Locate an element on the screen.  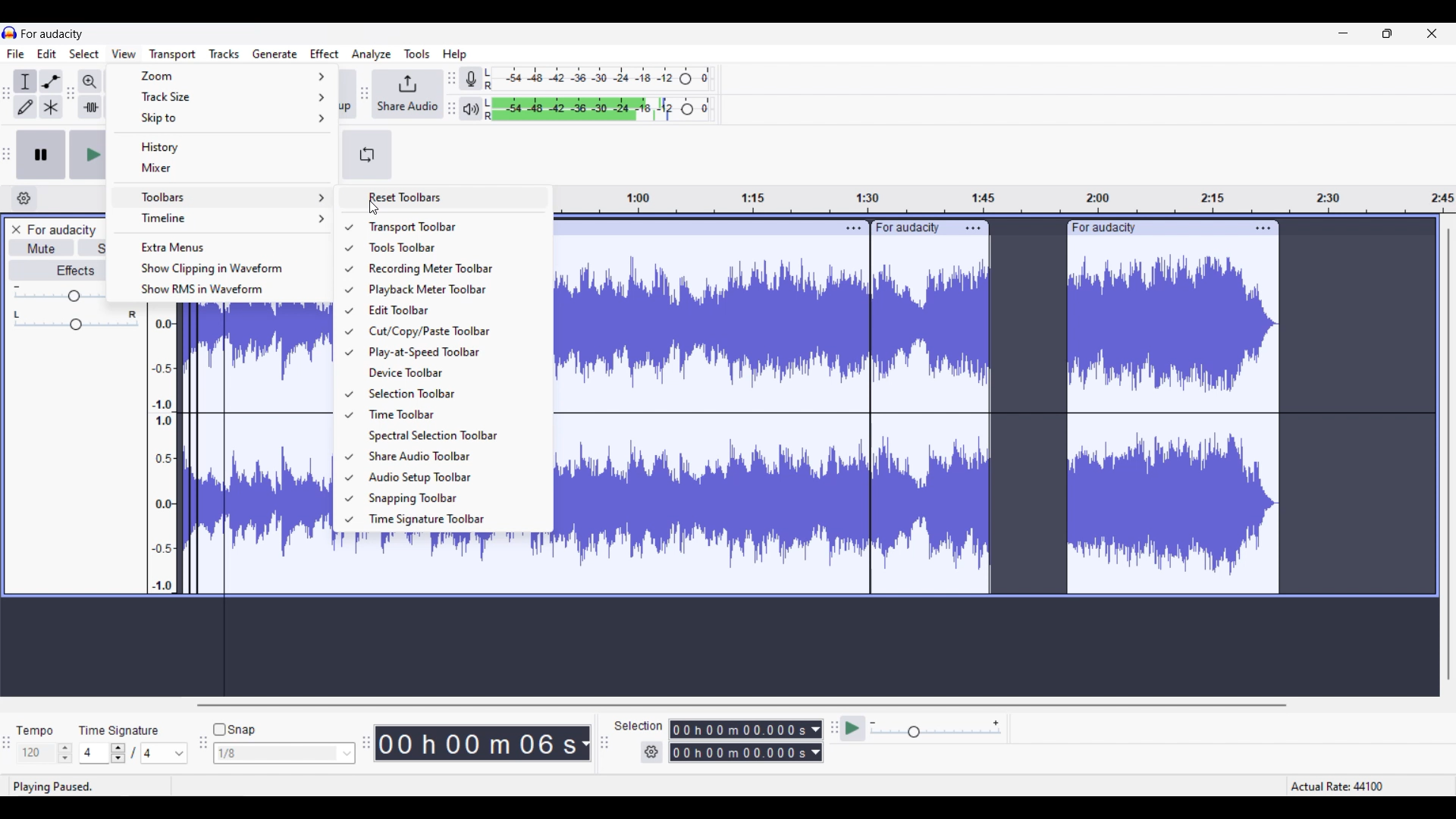
Scale to measure sound intensity is located at coordinates (164, 452).